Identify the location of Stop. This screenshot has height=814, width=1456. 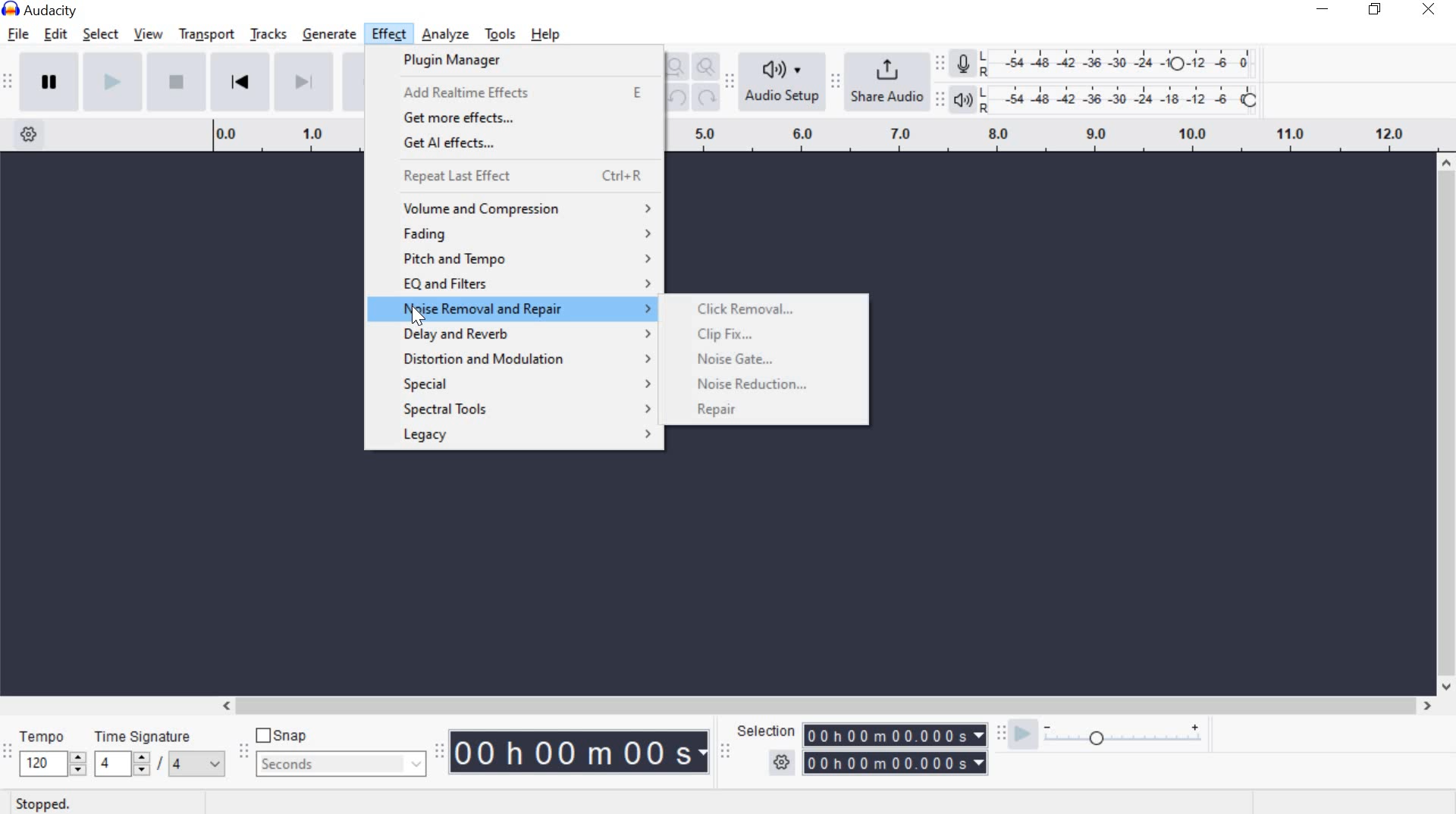
(174, 84).